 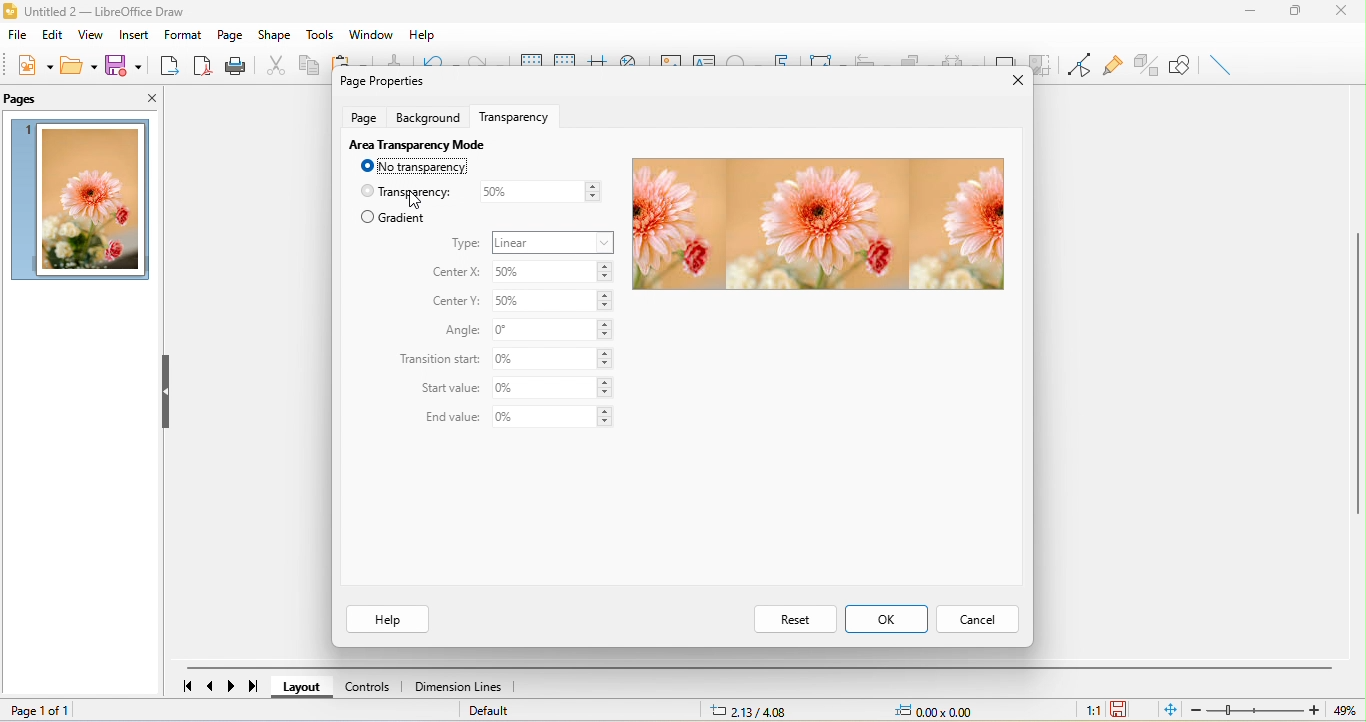 What do you see at coordinates (1011, 82) in the screenshot?
I see `close` at bounding box center [1011, 82].